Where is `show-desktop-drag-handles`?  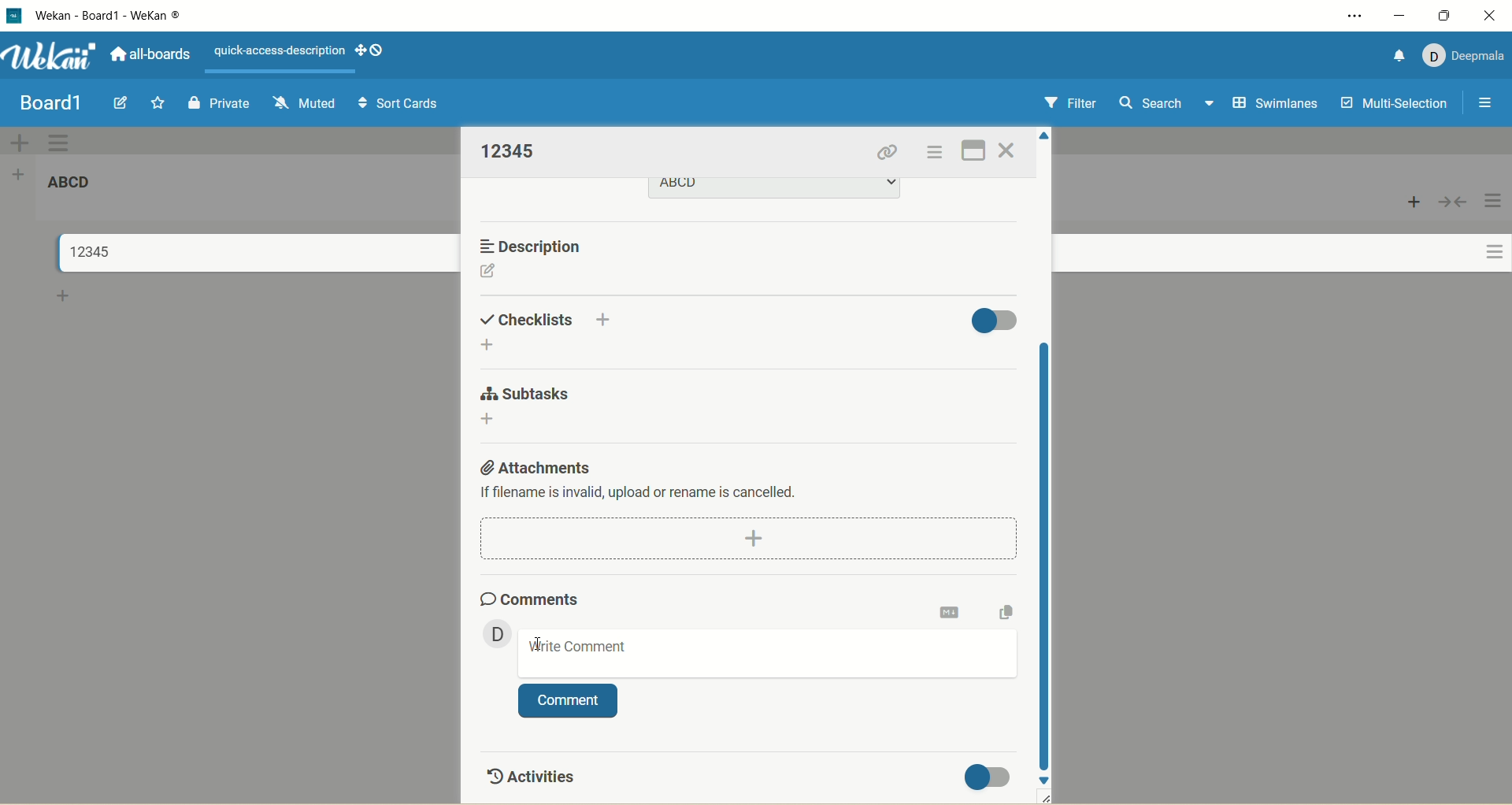 show-desktop-drag-handles is located at coordinates (357, 48).